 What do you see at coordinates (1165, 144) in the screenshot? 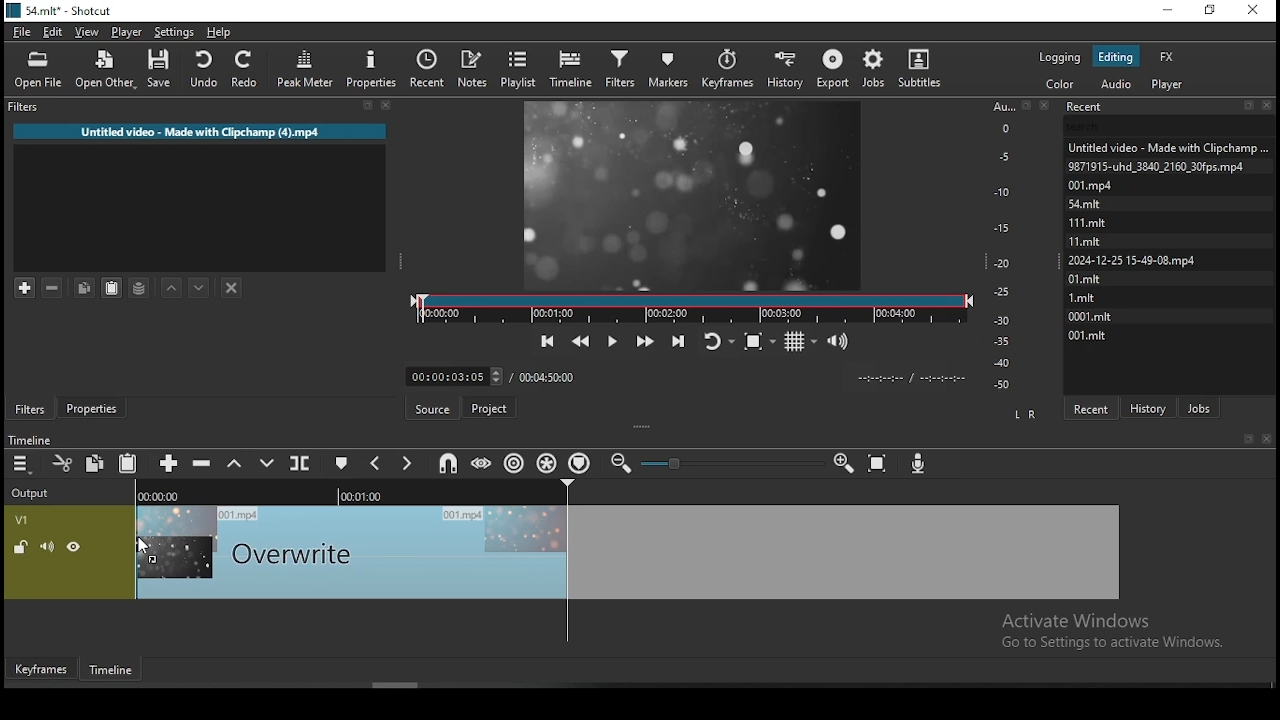
I see `files` at bounding box center [1165, 144].